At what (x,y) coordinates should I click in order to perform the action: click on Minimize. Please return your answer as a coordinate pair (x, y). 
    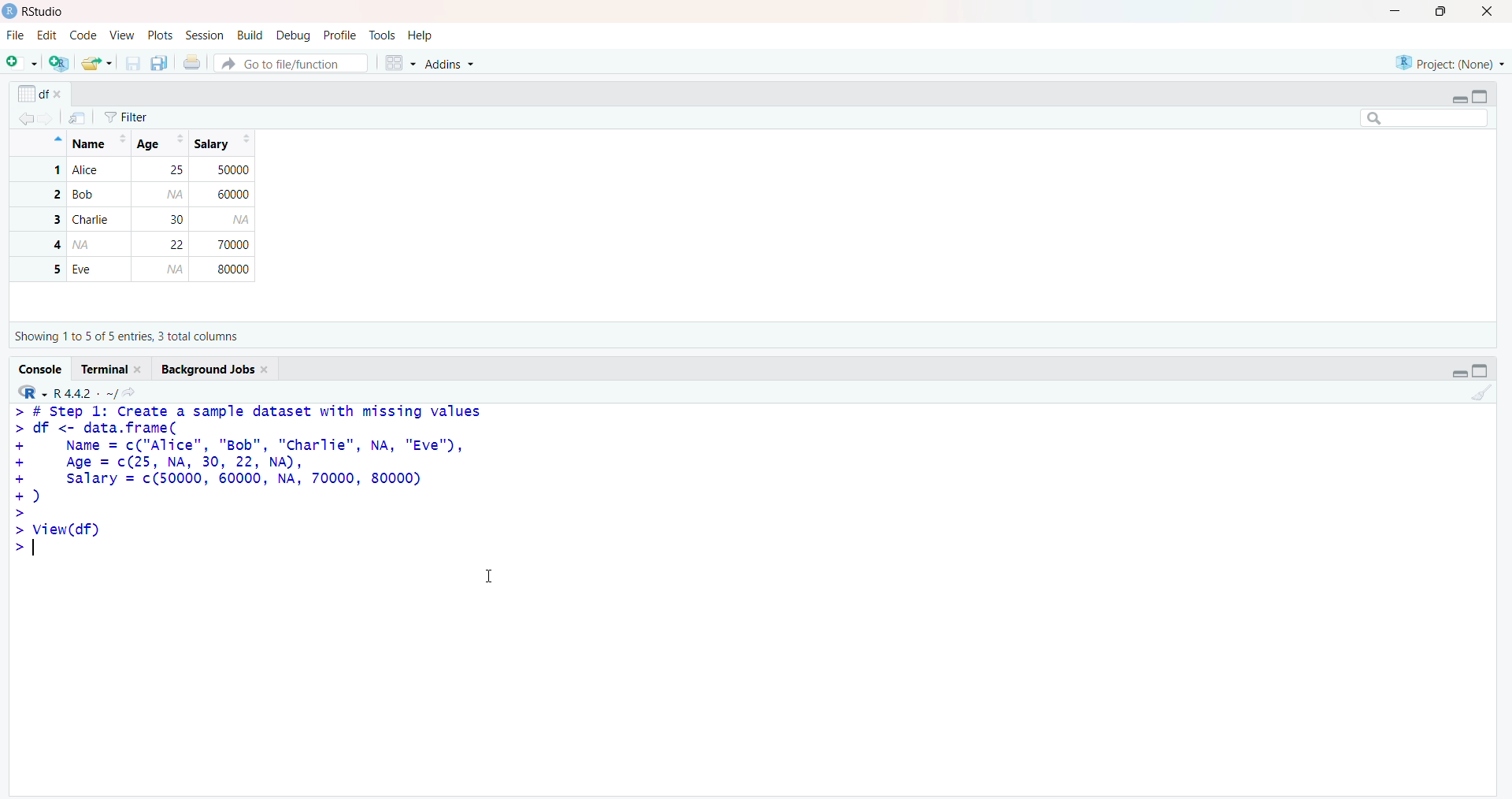
    Looking at the image, I should click on (1457, 98).